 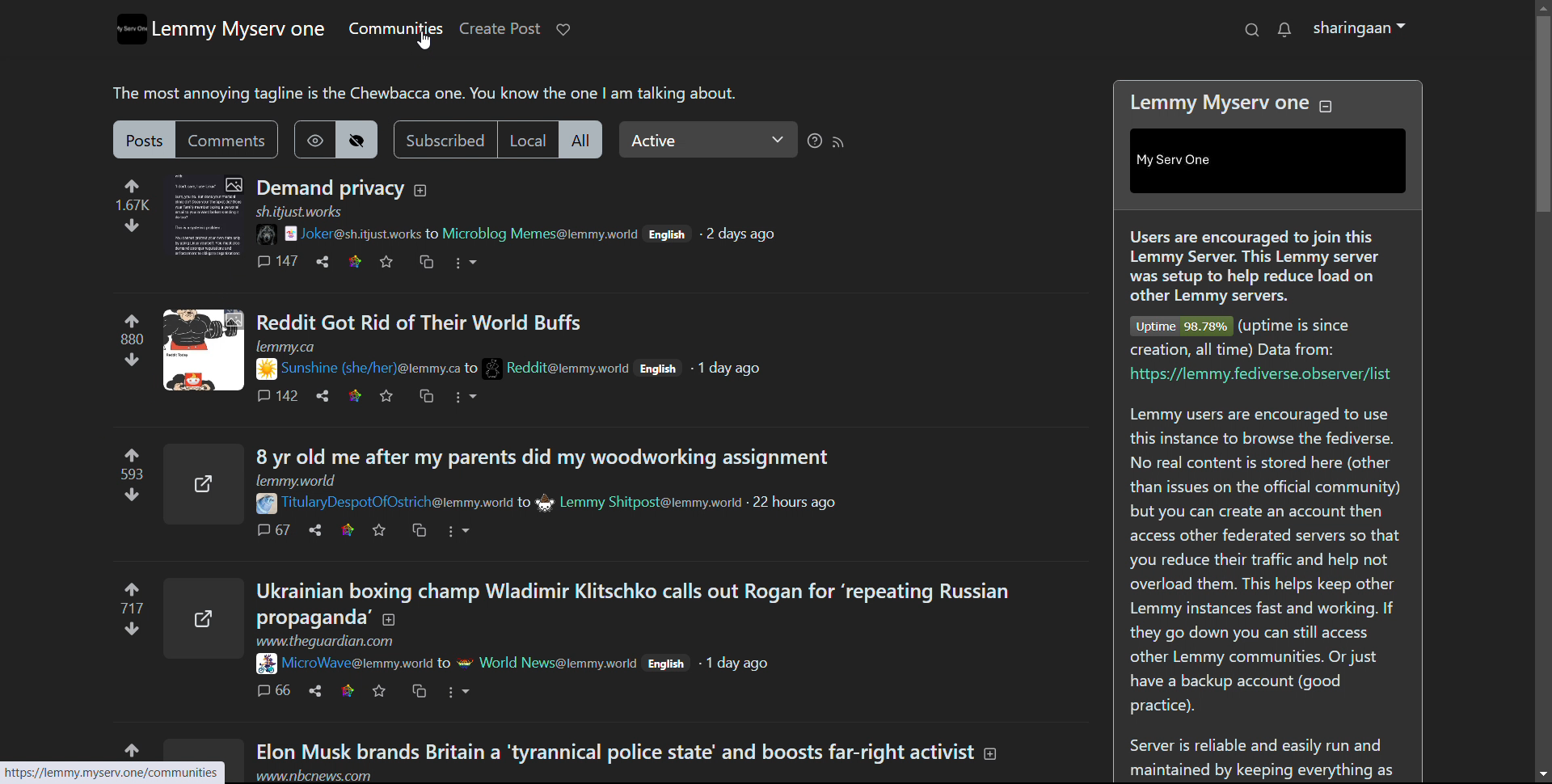 What do you see at coordinates (265, 664) in the screenshot?
I see `poster image` at bounding box center [265, 664].